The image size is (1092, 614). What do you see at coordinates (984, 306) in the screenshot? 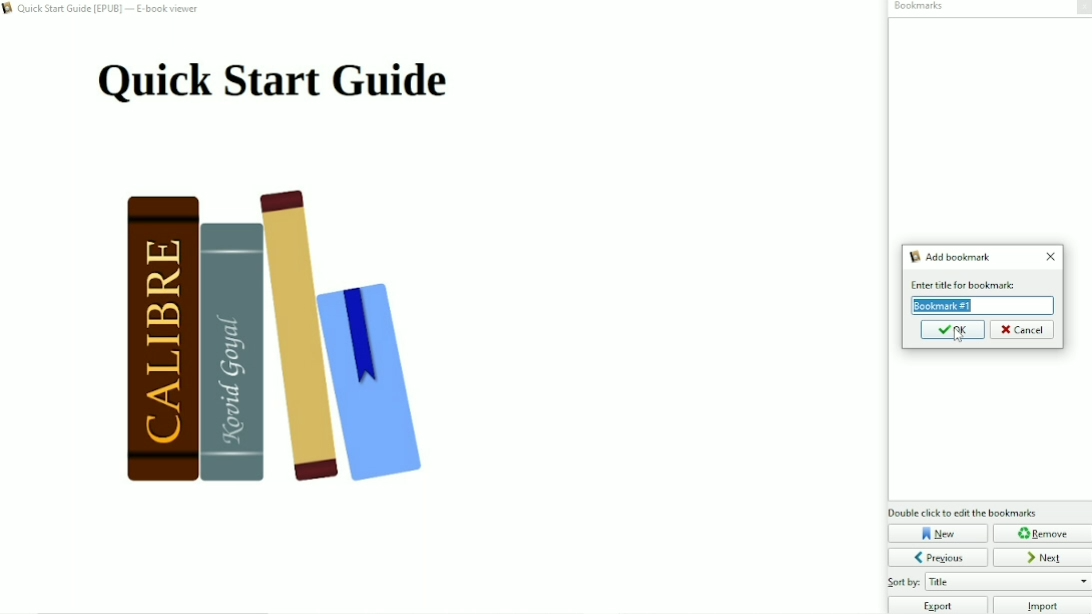
I see `Enter title for bookmark` at bounding box center [984, 306].